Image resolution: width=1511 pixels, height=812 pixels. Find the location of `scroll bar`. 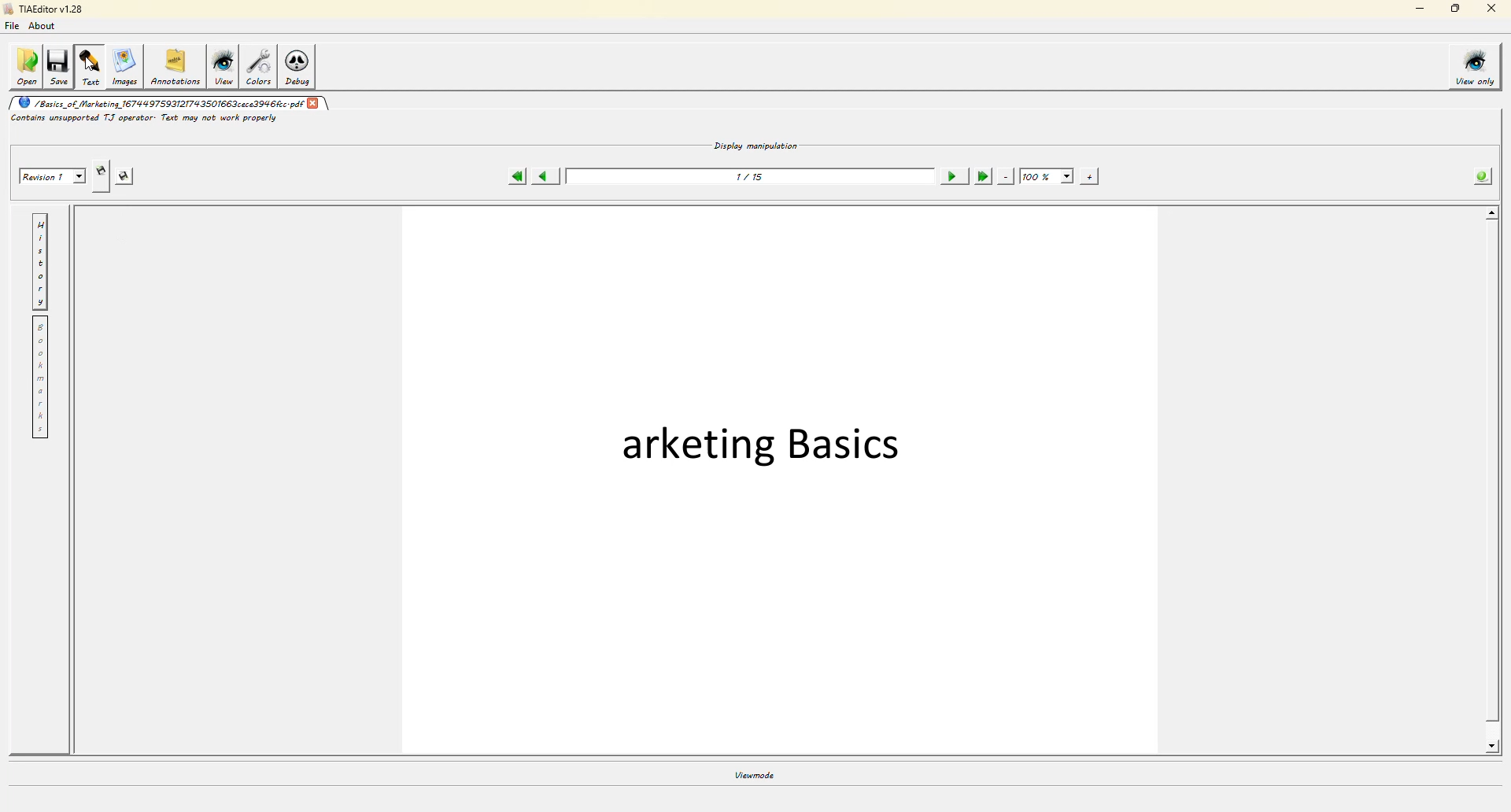

scroll bar is located at coordinates (1491, 482).